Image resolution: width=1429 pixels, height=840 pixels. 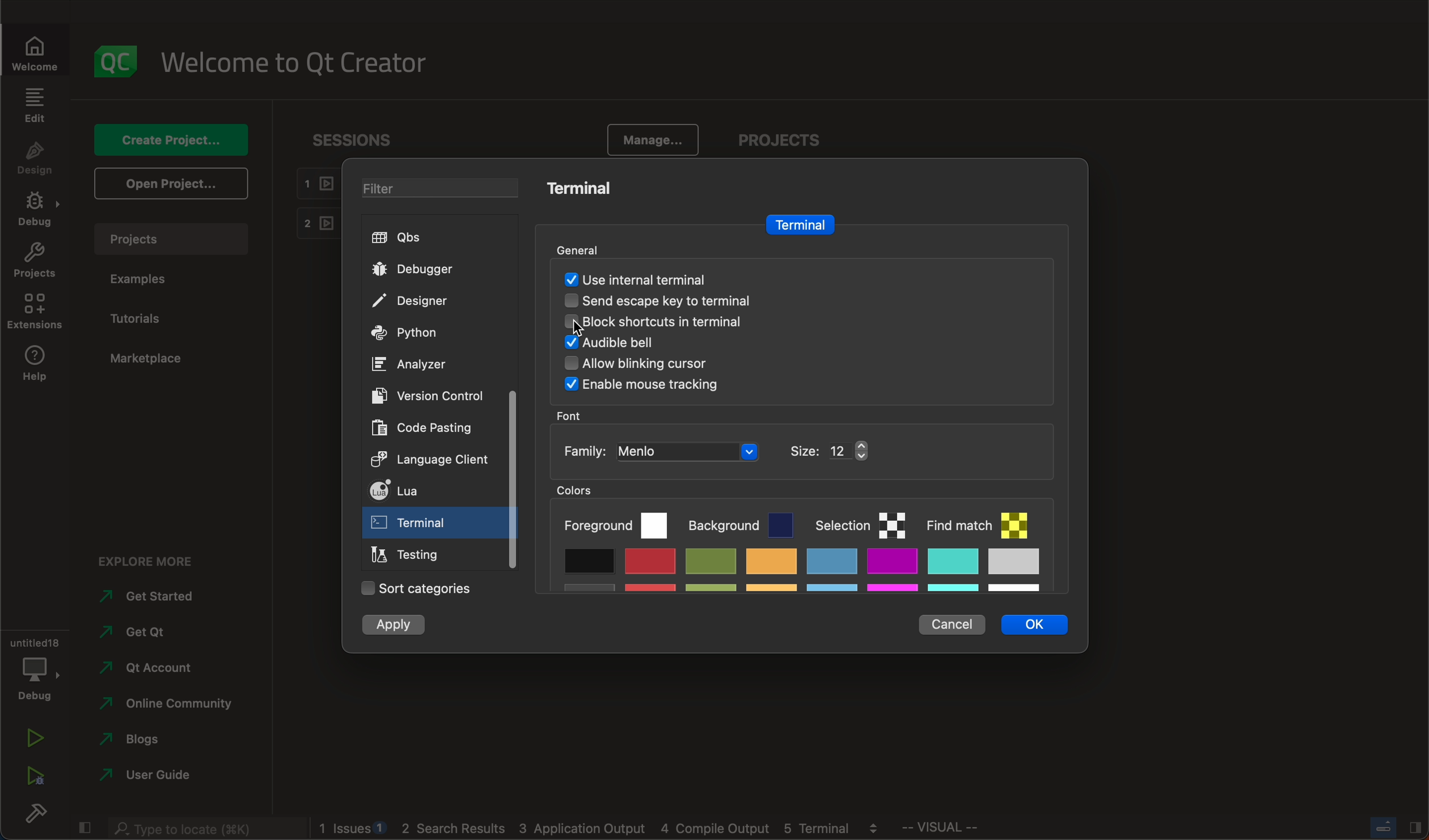 What do you see at coordinates (150, 279) in the screenshot?
I see `examples` at bounding box center [150, 279].